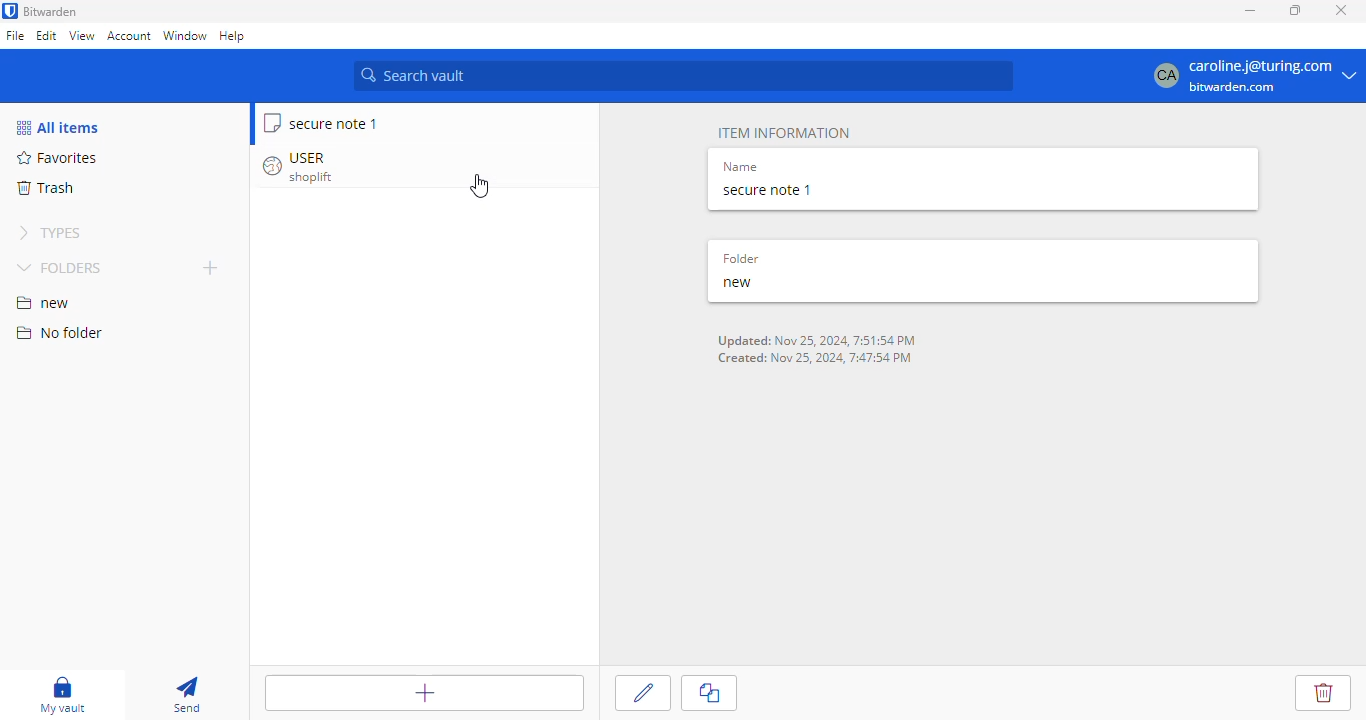 This screenshot has width=1366, height=720. What do you see at coordinates (1295, 10) in the screenshot?
I see `maximize` at bounding box center [1295, 10].